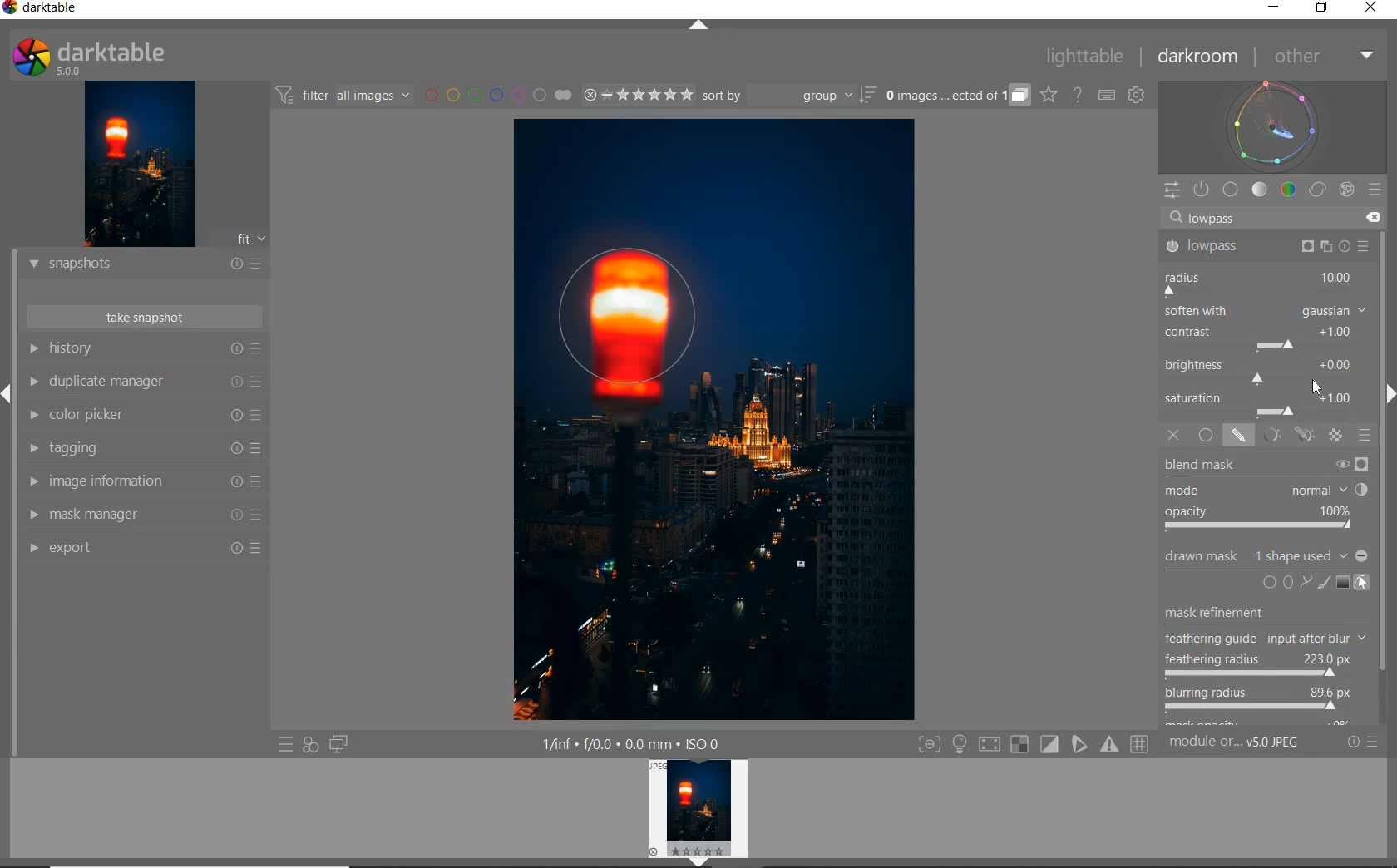 The image size is (1397, 868). I want to click on CURSOR, so click(1318, 389).